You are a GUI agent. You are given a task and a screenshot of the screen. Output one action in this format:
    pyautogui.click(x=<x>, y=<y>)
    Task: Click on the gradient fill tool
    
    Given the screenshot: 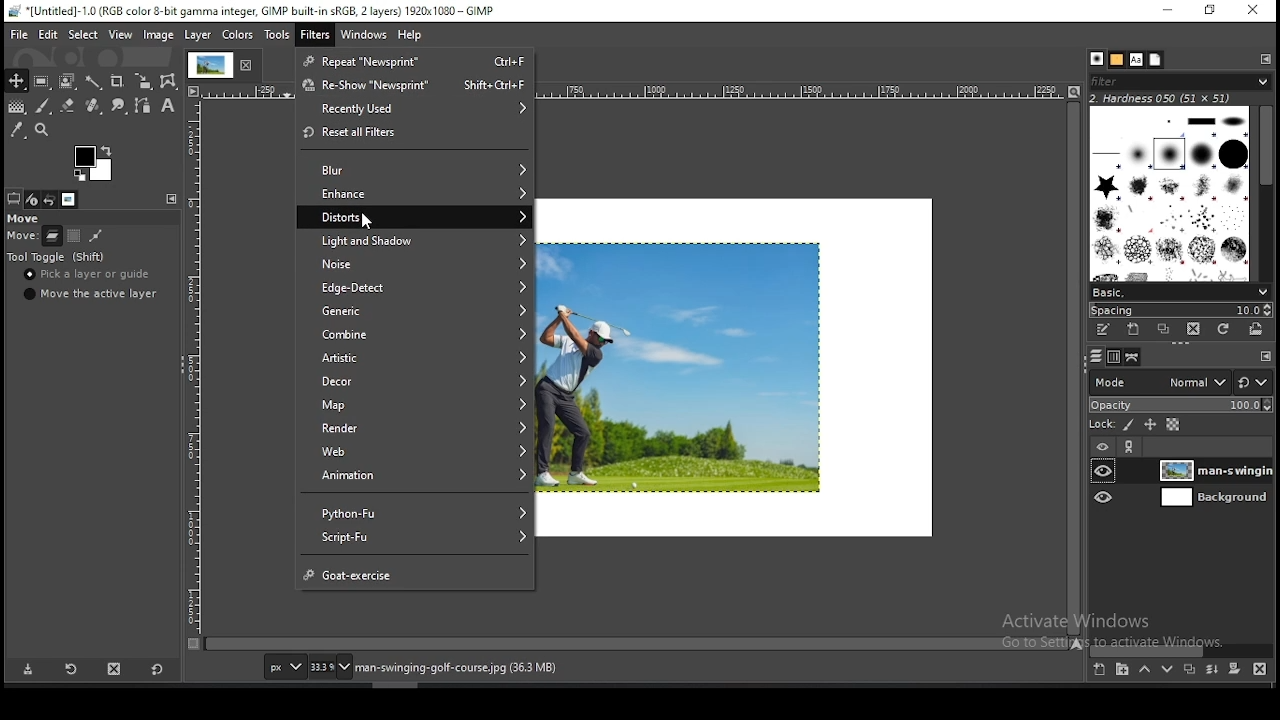 What is the action you would take?
    pyautogui.click(x=18, y=107)
    